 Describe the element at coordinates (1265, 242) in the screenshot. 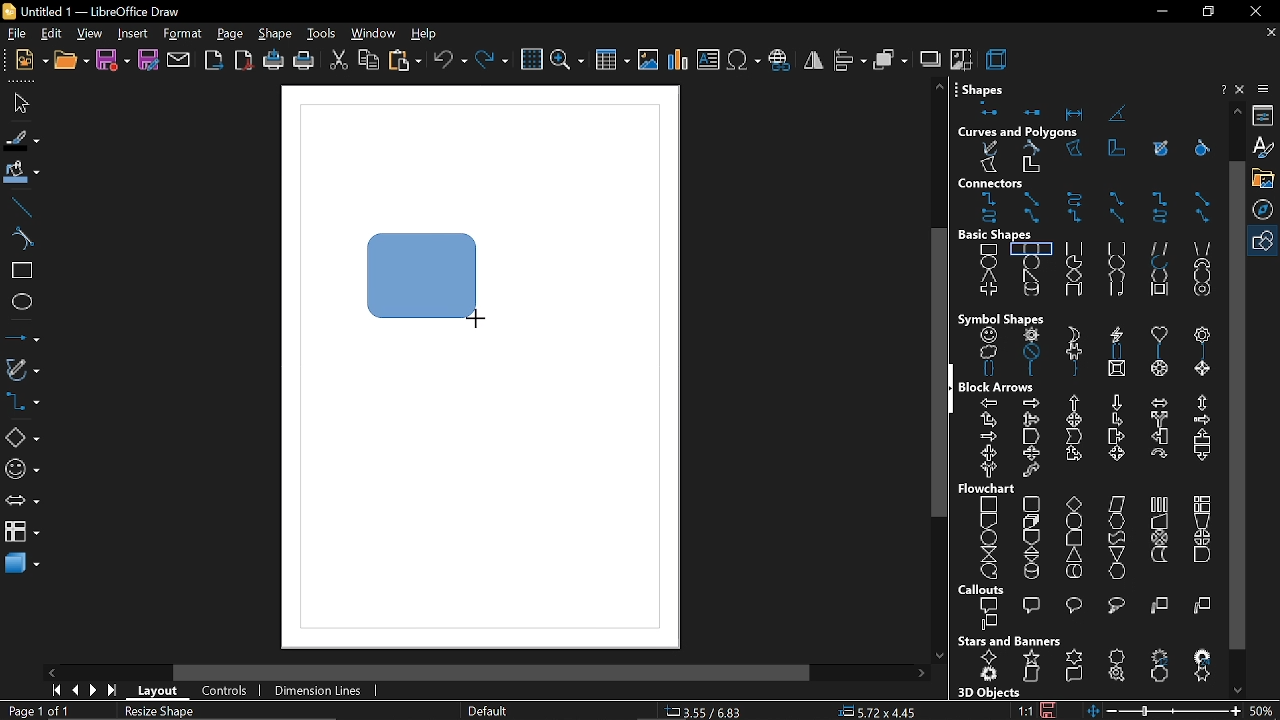

I see `basic shapes` at that location.